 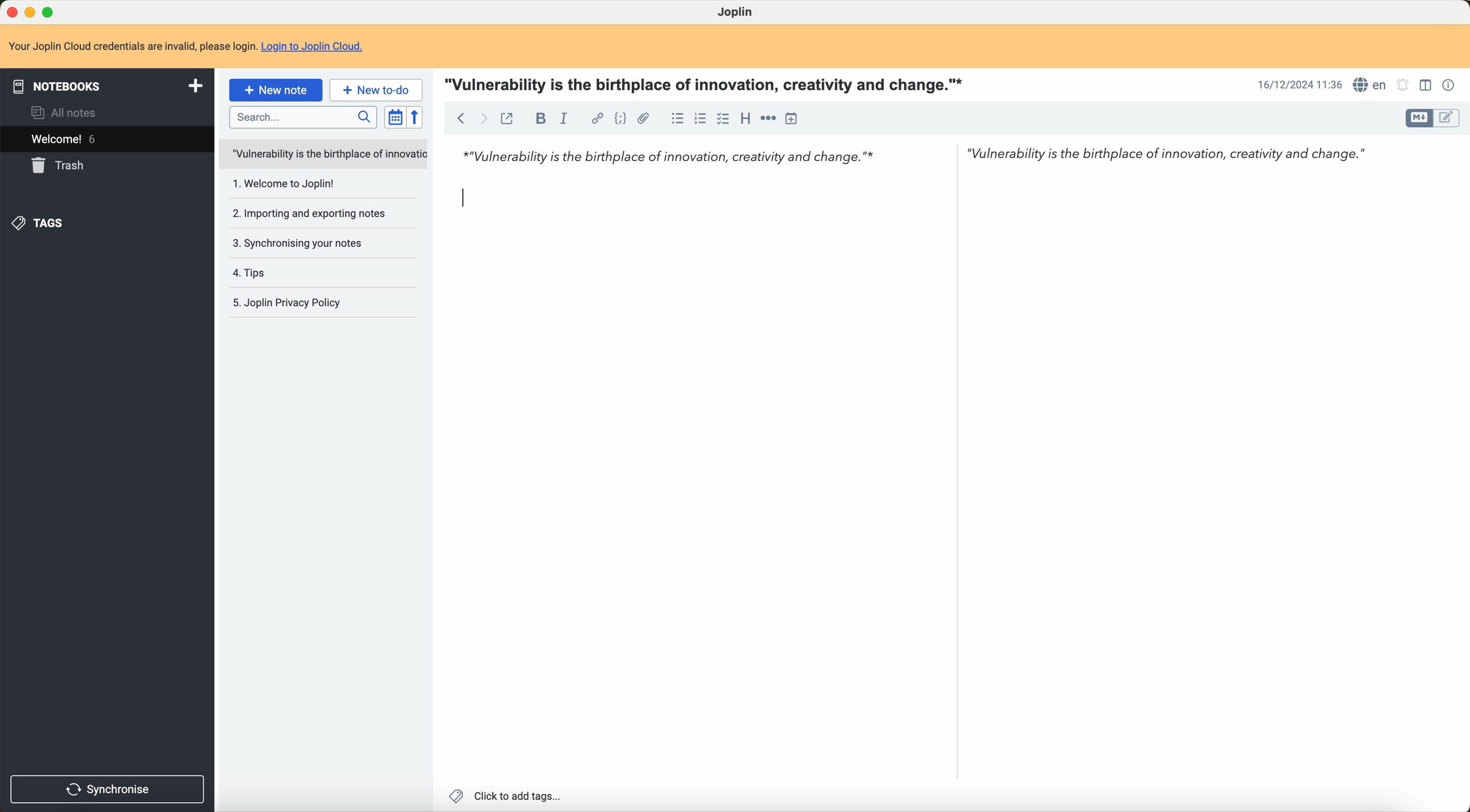 I want to click on set alarm, so click(x=1405, y=86).